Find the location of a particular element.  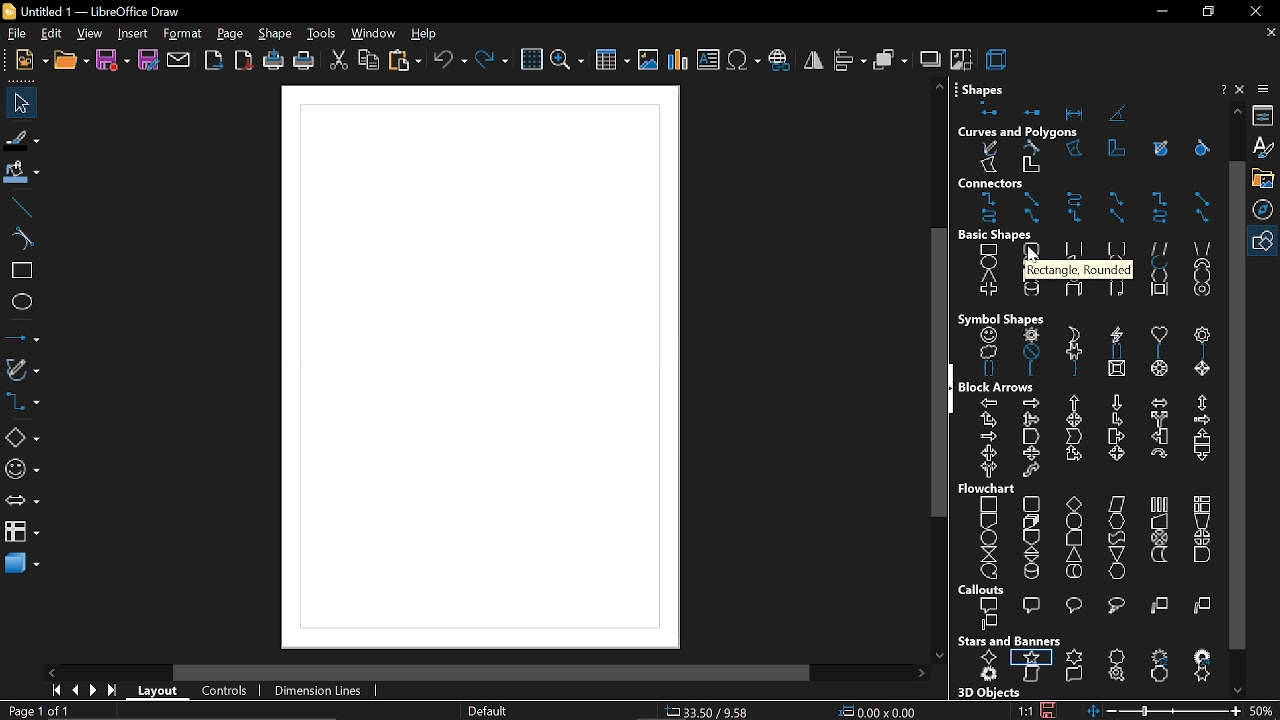

next page is located at coordinates (93, 691).